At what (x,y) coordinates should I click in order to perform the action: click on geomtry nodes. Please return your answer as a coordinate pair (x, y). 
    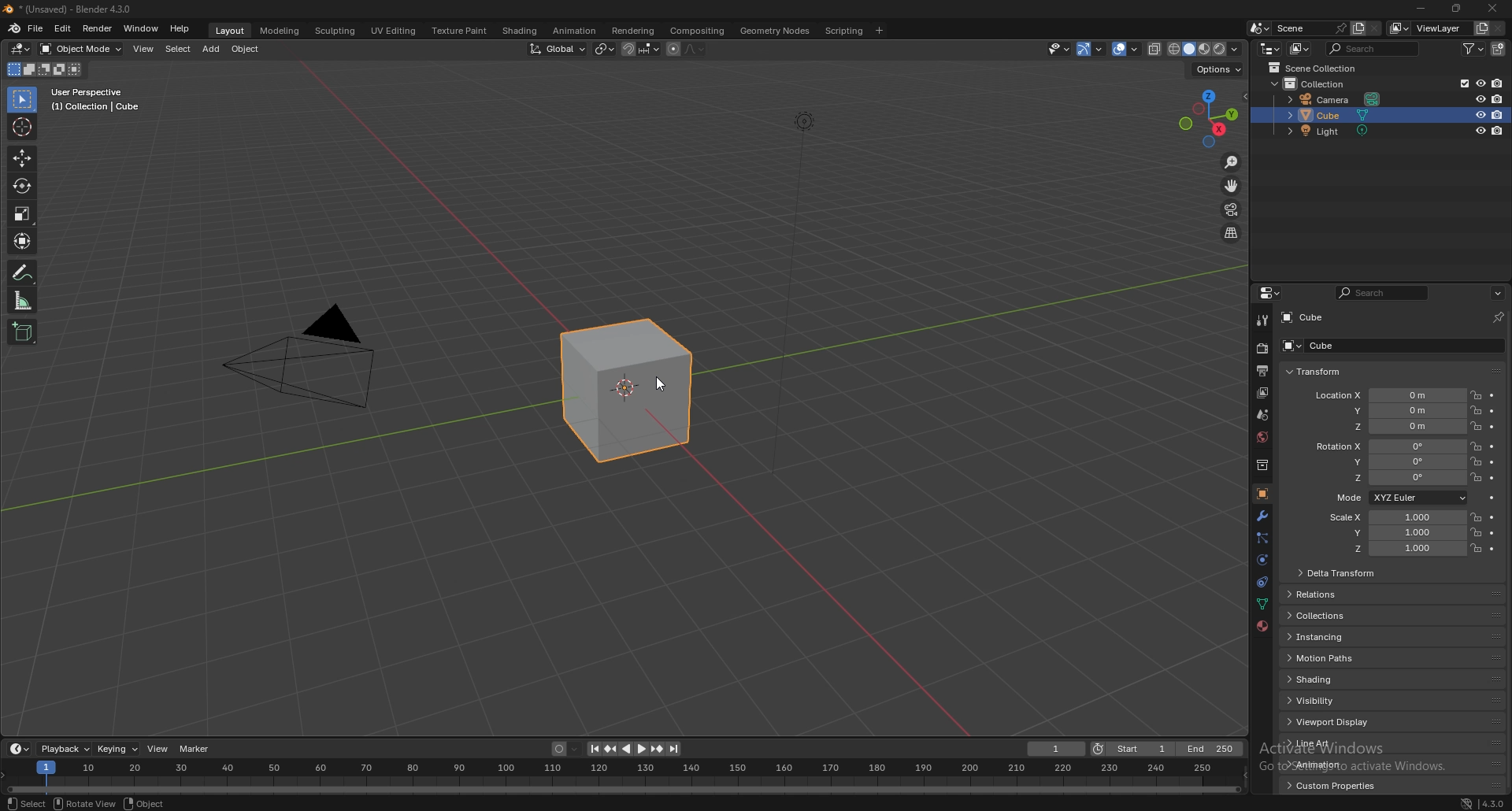
    Looking at the image, I should click on (776, 31).